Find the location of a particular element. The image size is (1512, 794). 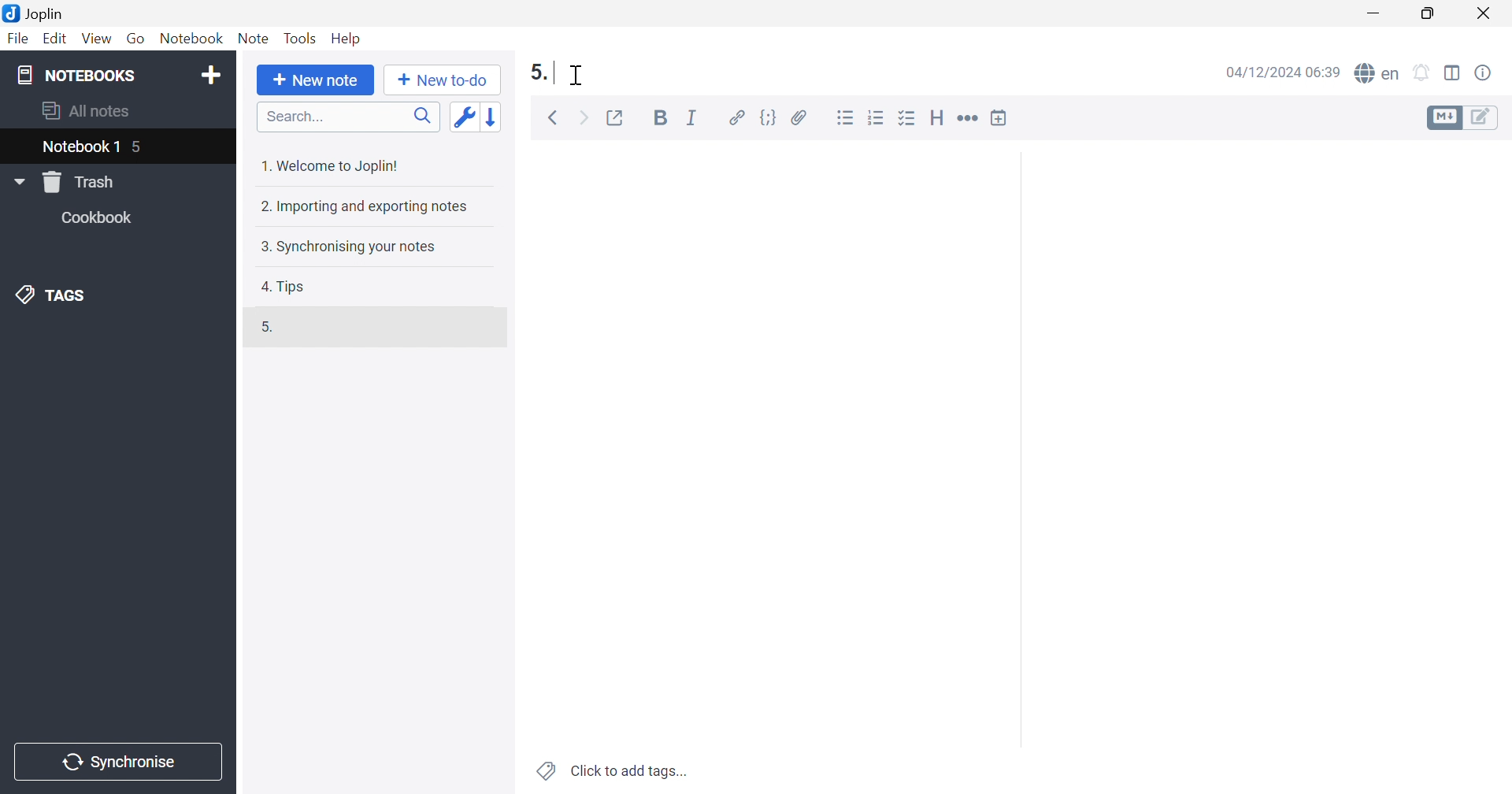

5. is located at coordinates (269, 332).